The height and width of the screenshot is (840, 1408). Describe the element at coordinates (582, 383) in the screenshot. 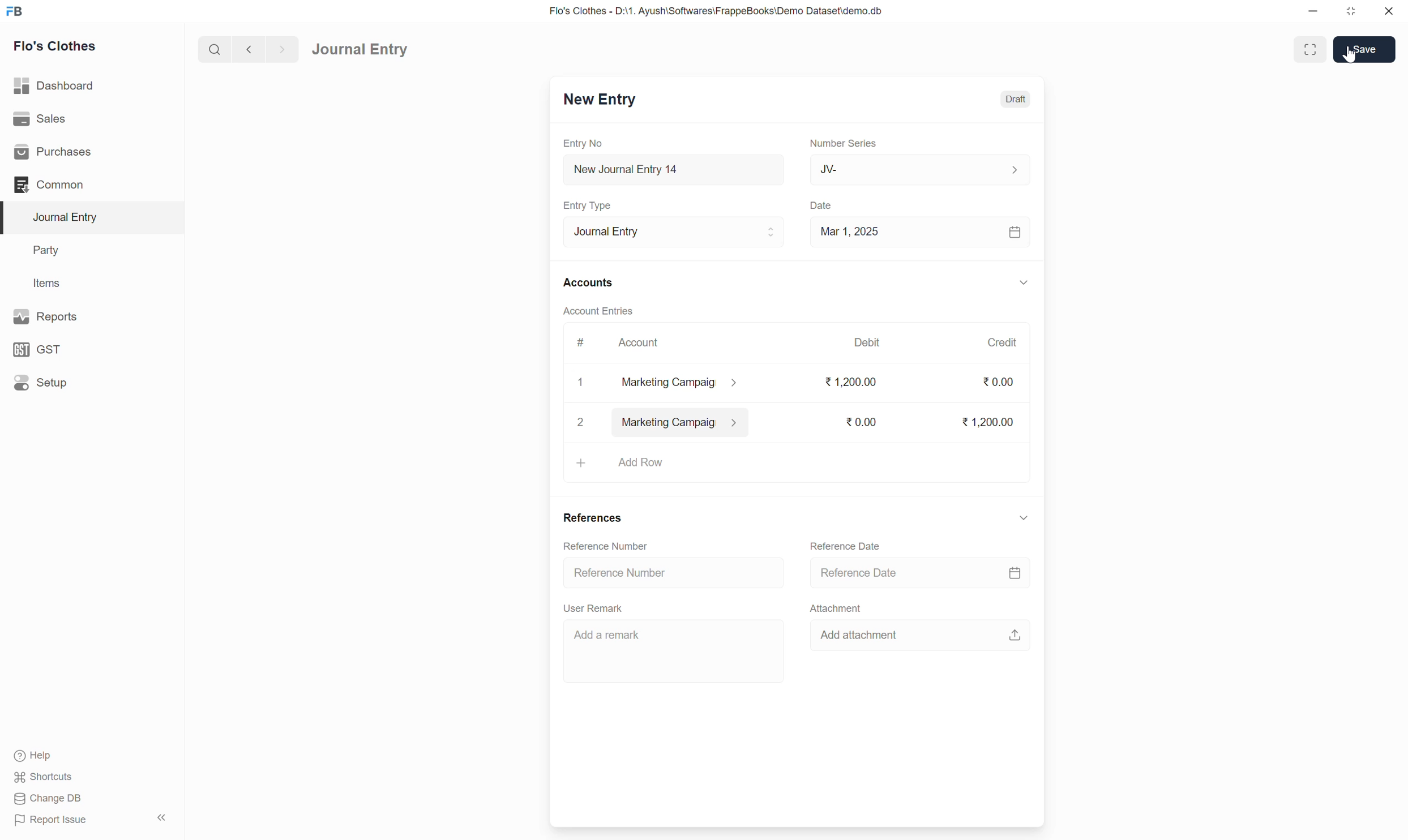

I see `1` at that location.